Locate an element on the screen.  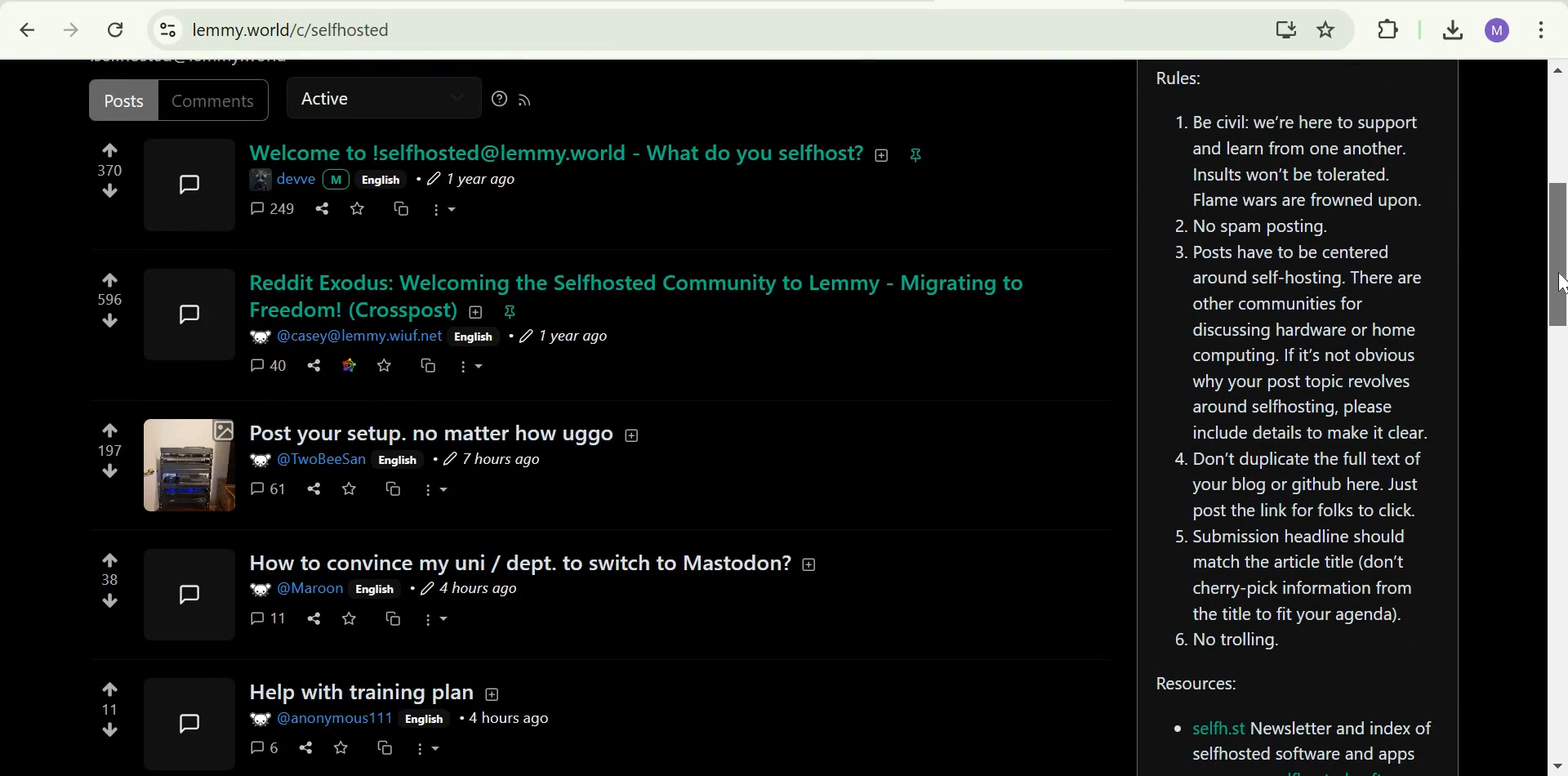
extensions is located at coordinates (1391, 30).